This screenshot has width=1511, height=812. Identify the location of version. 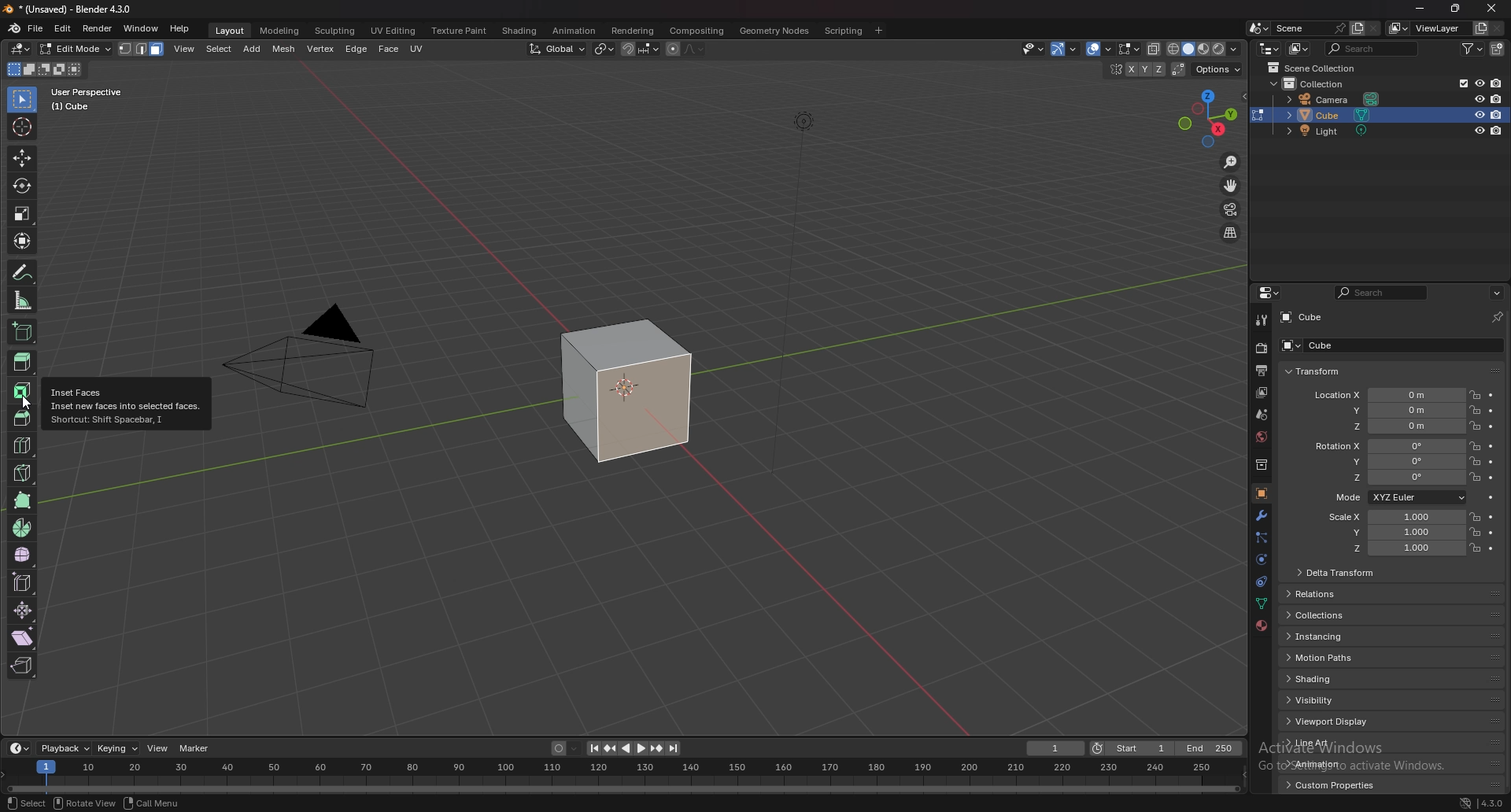
(1493, 803).